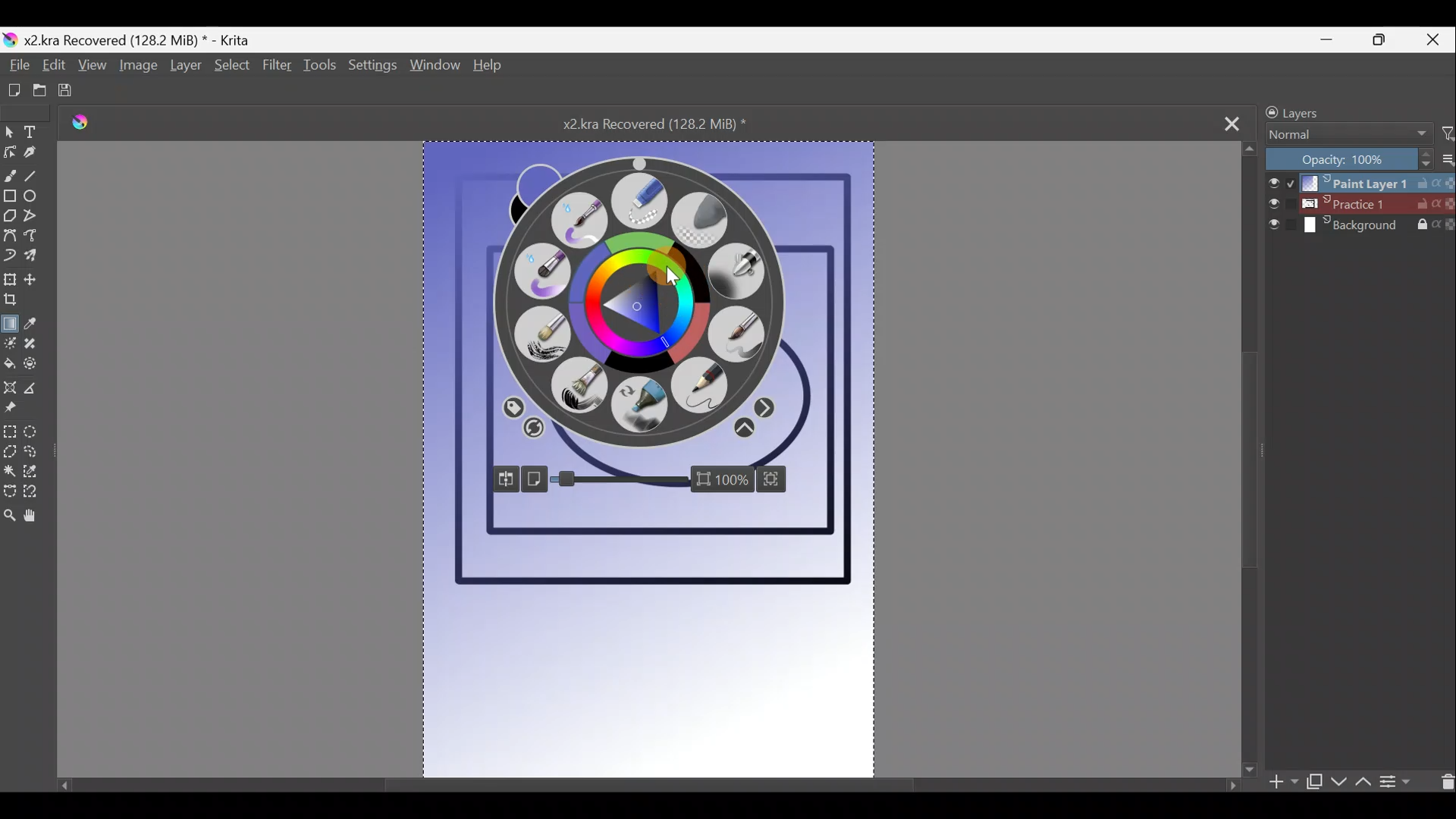 The height and width of the screenshot is (819, 1456). What do you see at coordinates (30, 157) in the screenshot?
I see `Calligraphy` at bounding box center [30, 157].